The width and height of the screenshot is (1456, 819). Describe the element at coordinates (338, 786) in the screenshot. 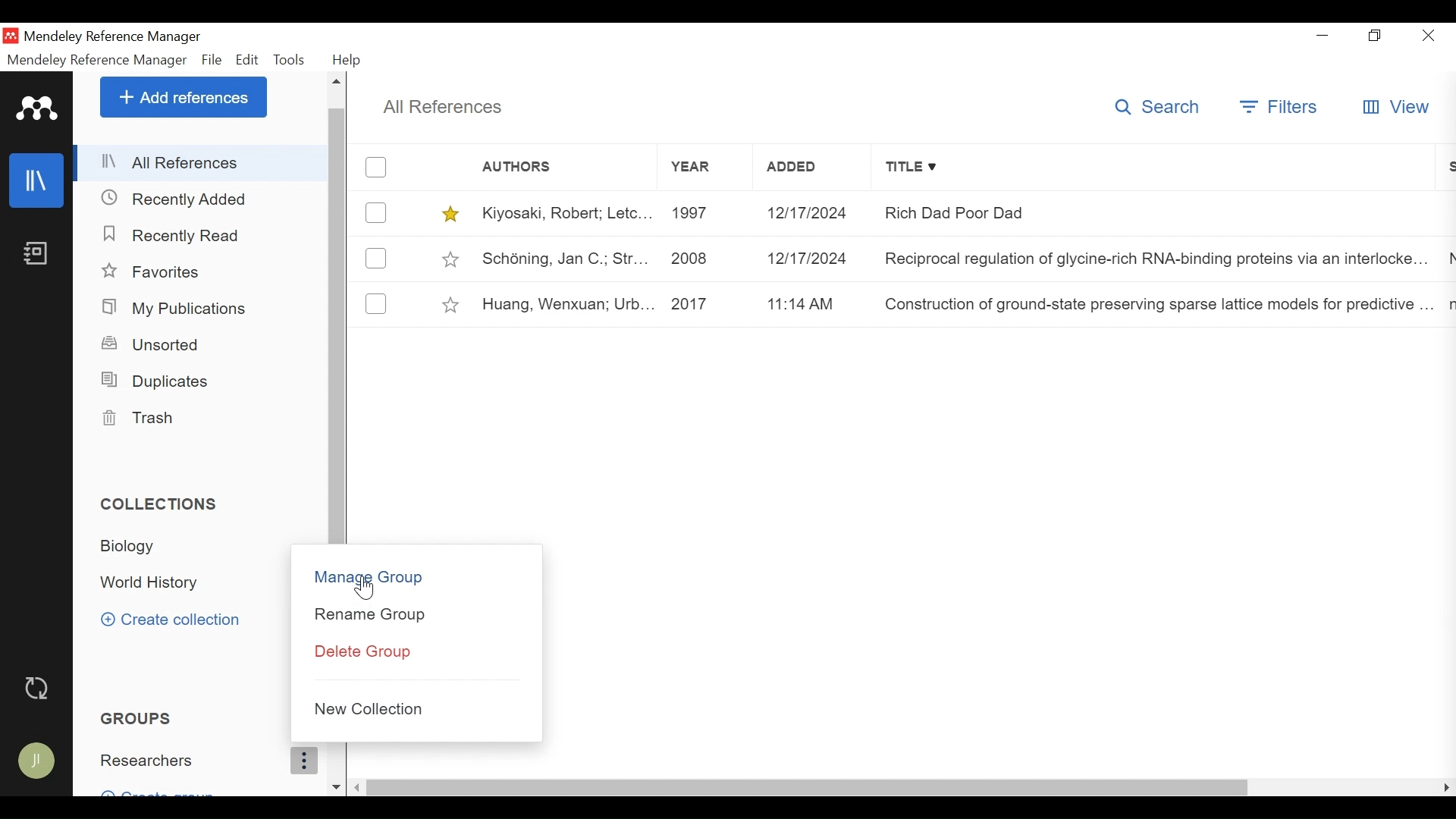

I see `Scroll down` at that location.